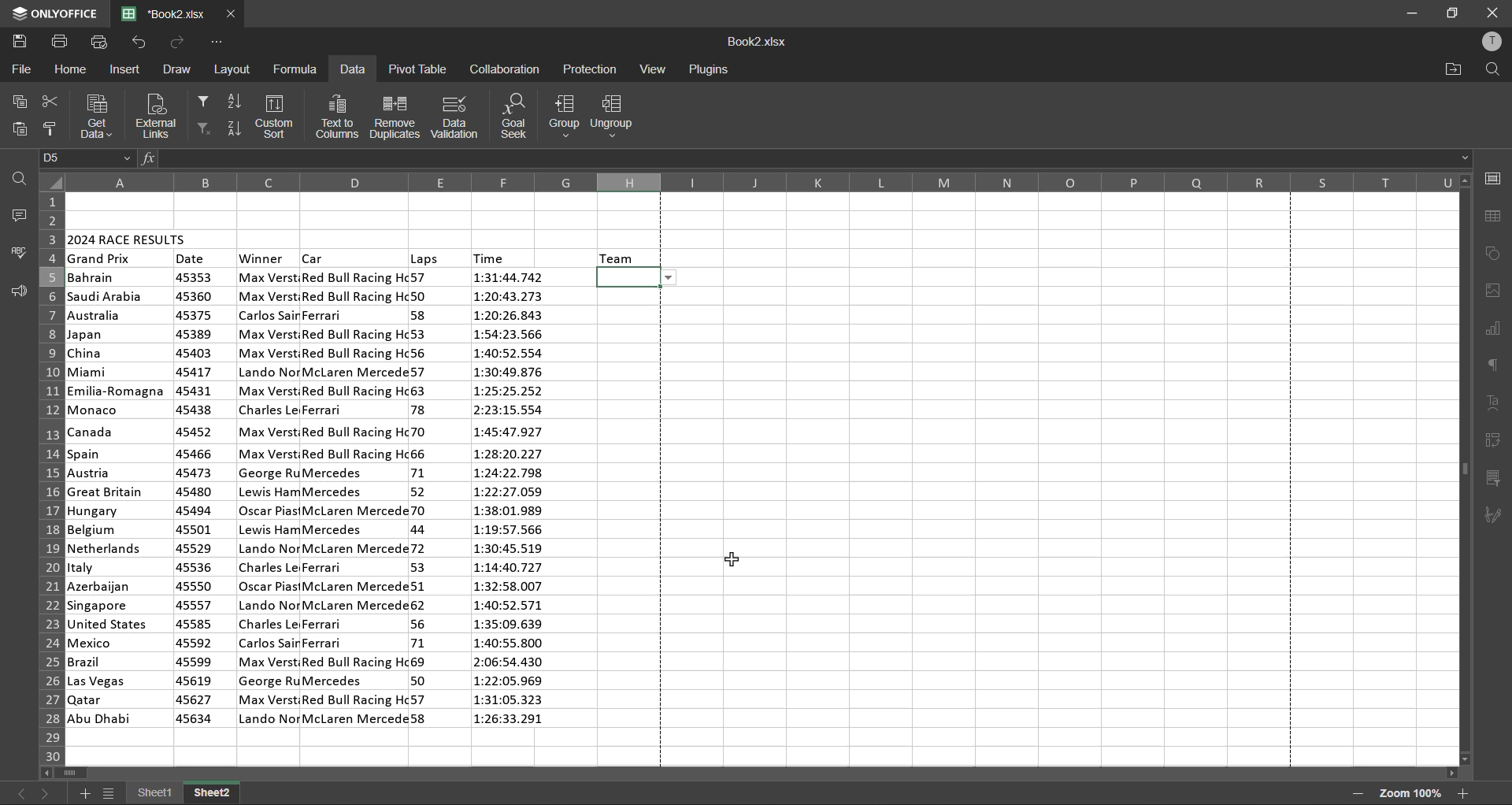  What do you see at coordinates (298, 68) in the screenshot?
I see `formula` at bounding box center [298, 68].